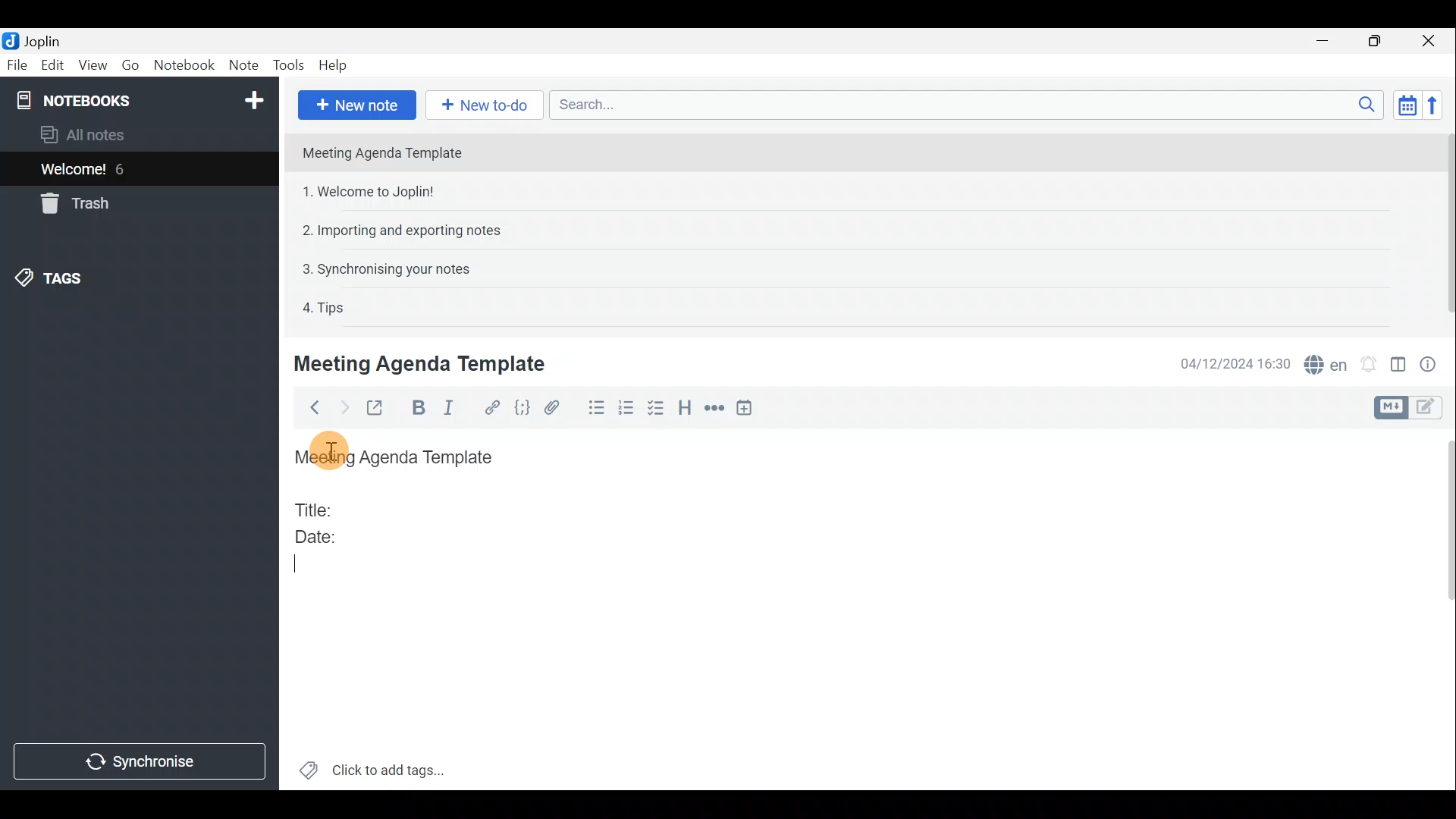  Describe the element at coordinates (74, 171) in the screenshot. I see `Welcome!` at that location.